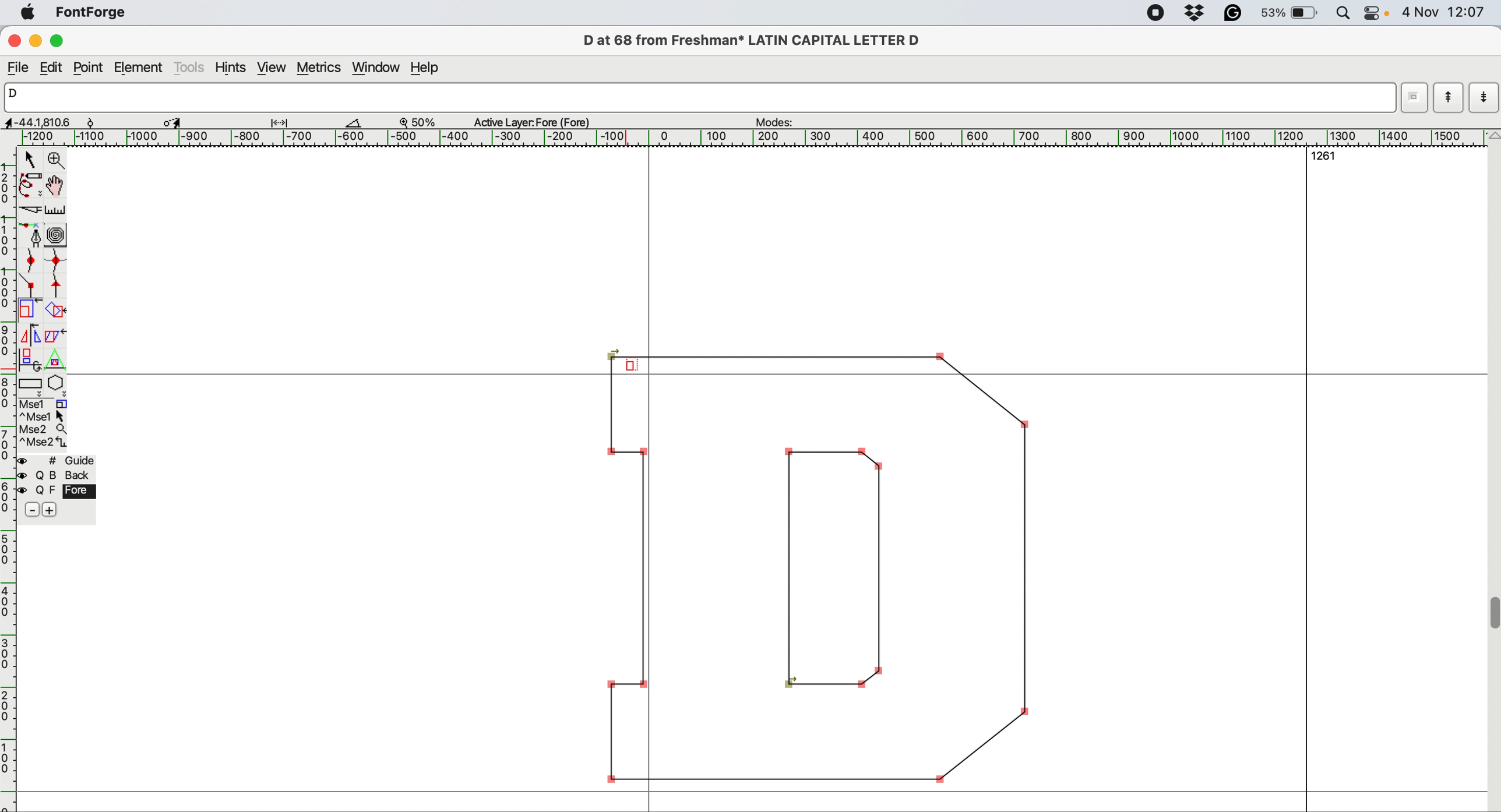 Image resolution: width=1501 pixels, height=812 pixels. Describe the element at coordinates (51, 510) in the screenshot. I see `add` at that location.